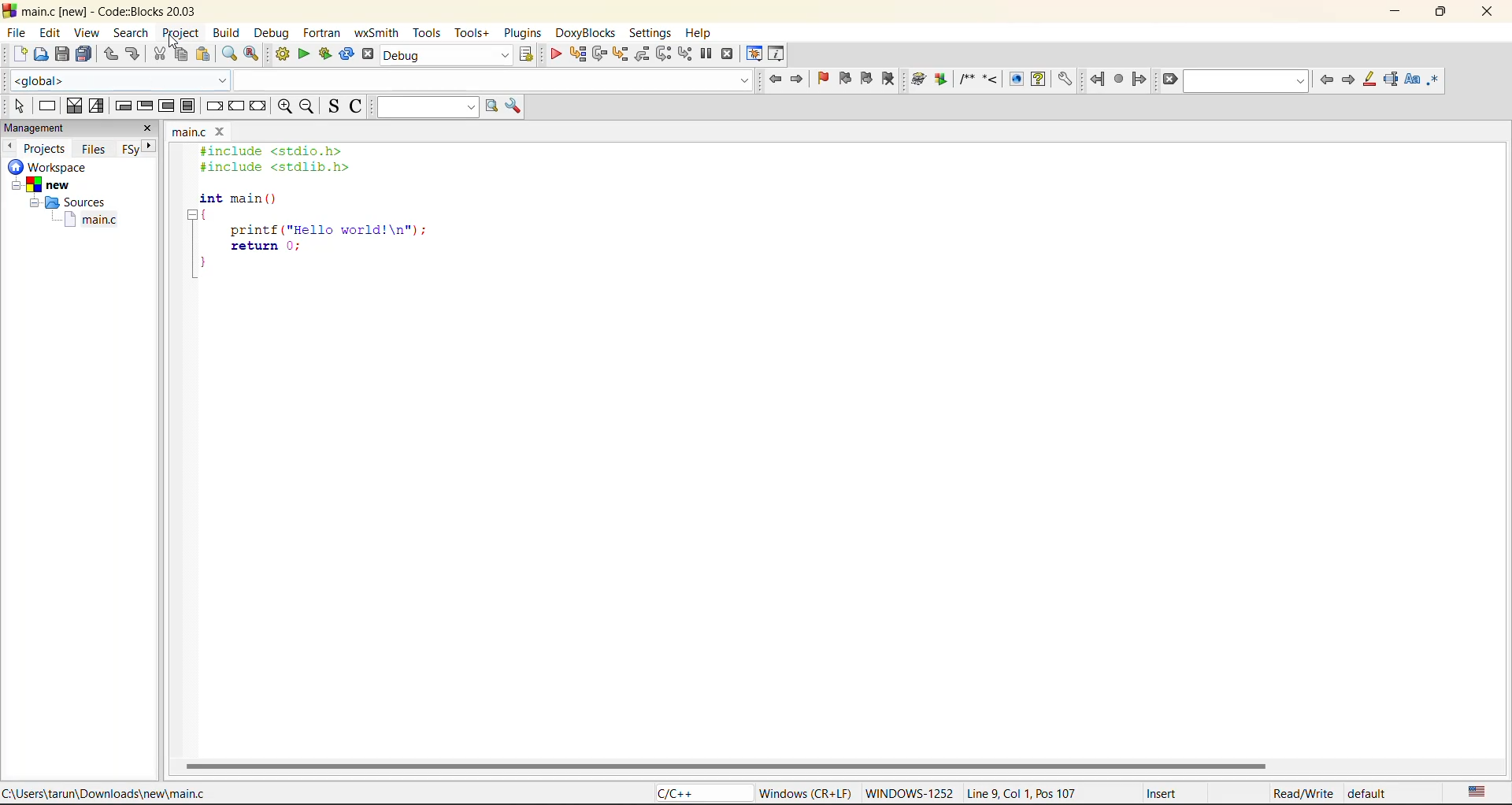  Describe the element at coordinates (113, 10) in the screenshot. I see `main.c [new] - Code::Blocks 20.03` at that location.